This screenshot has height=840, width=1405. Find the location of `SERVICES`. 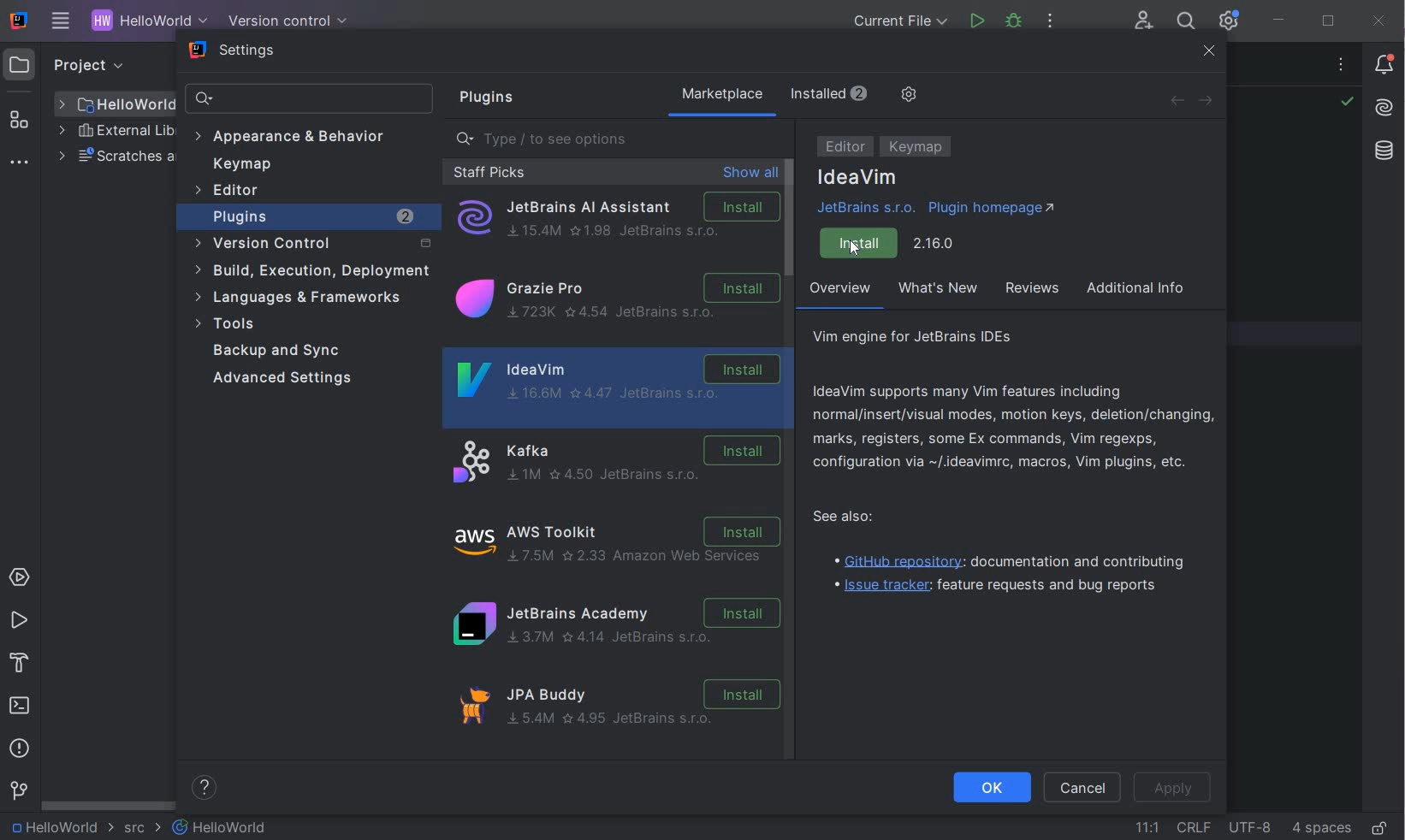

SERVICES is located at coordinates (20, 578).